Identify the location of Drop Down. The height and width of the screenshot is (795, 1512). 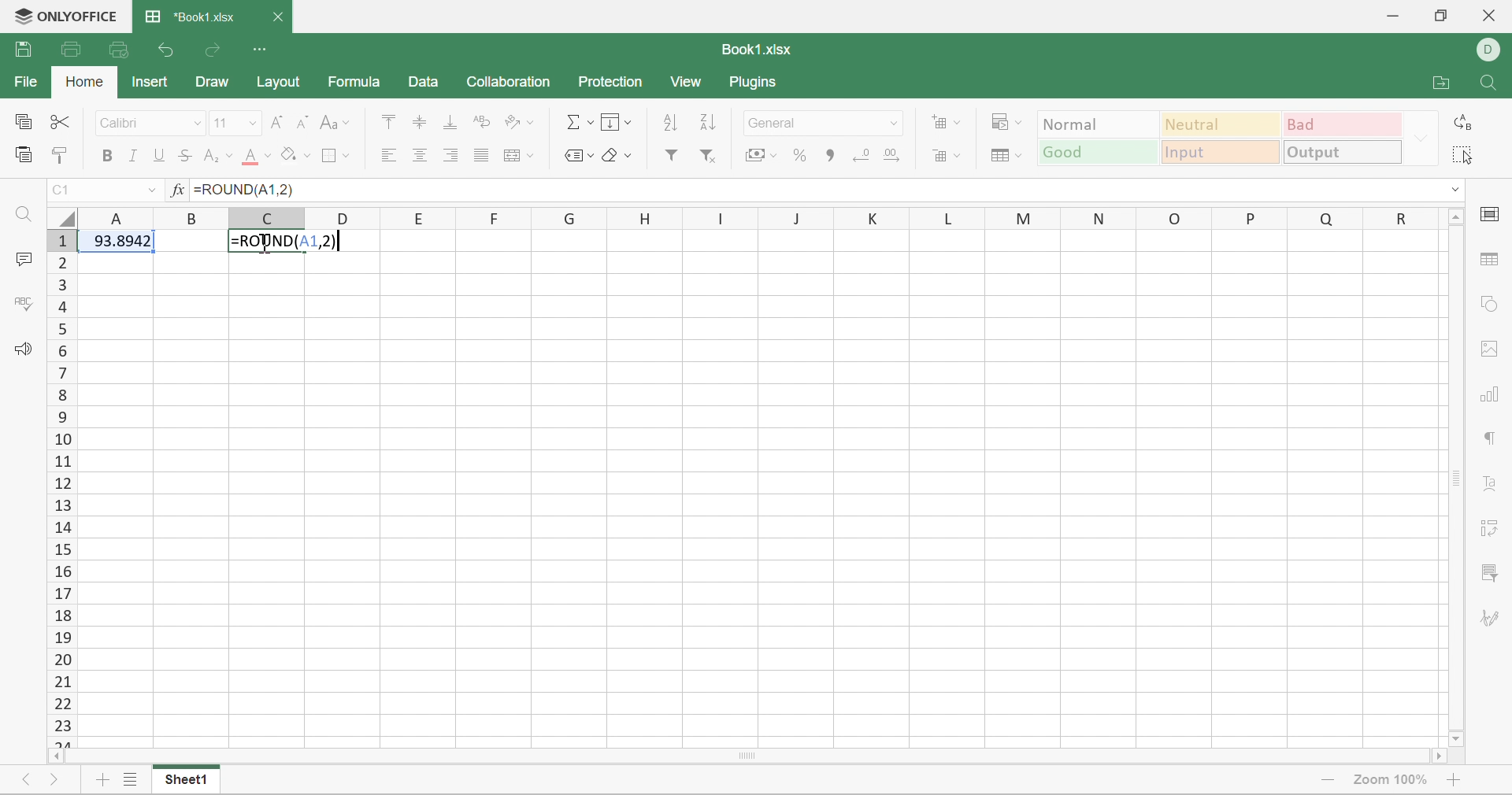
(1453, 190).